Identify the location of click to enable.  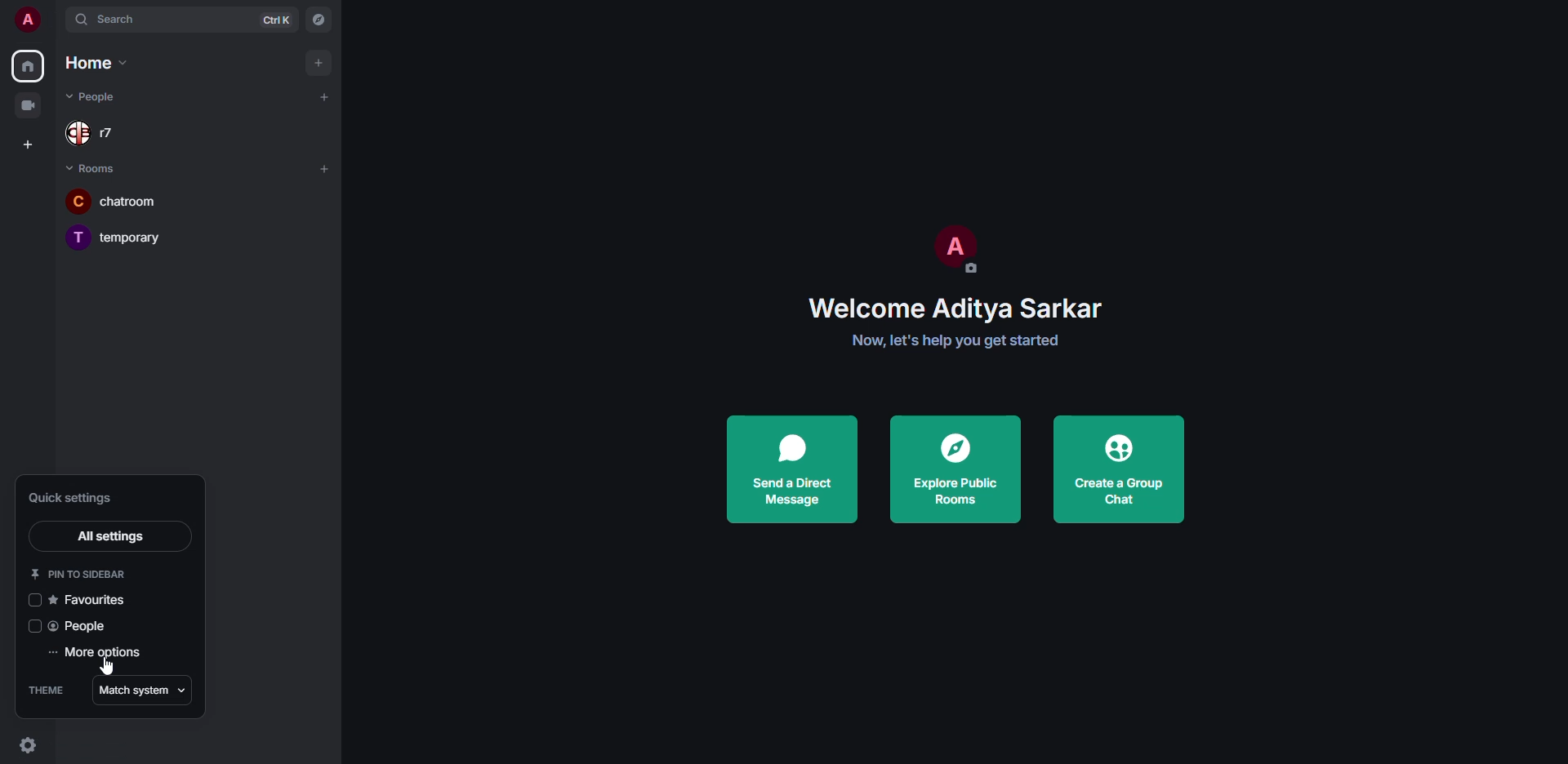
(36, 600).